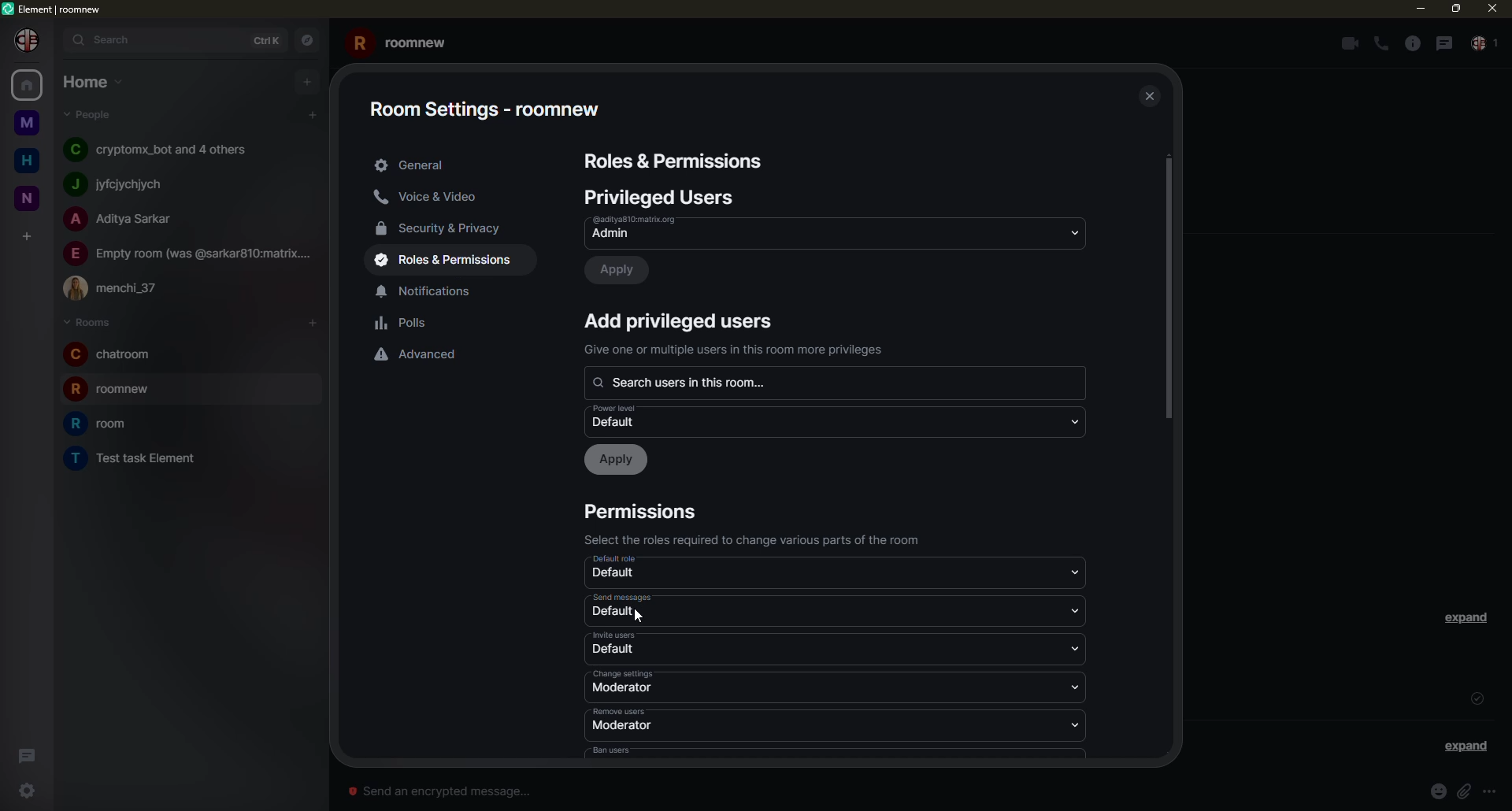 The width and height of the screenshot is (1512, 811). What do you see at coordinates (621, 270) in the screenshot?
I see `apply` at bounding box center [621, 270].